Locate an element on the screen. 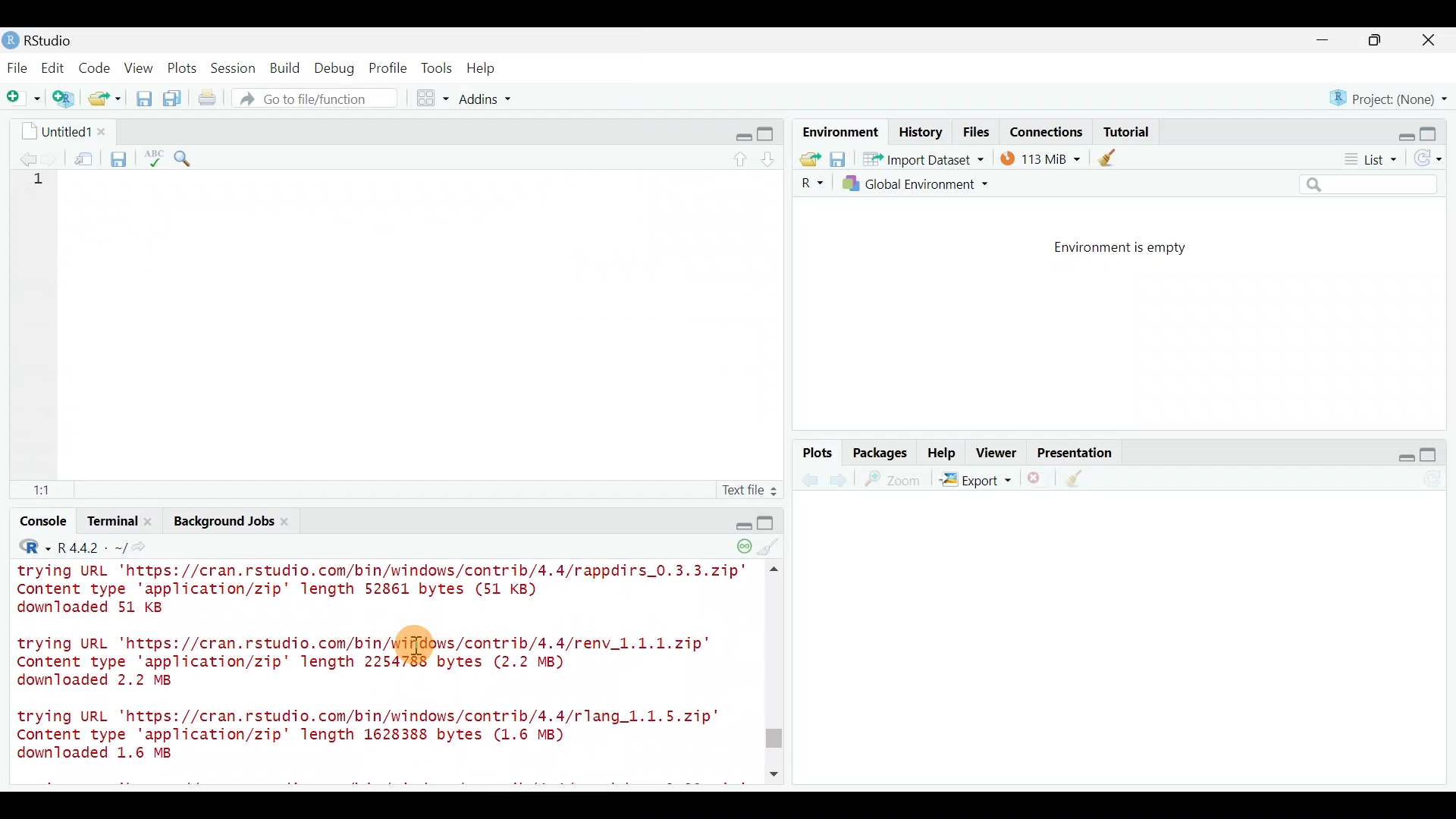 The image size is (1456, 819). Refresh current plot is located at coordinates (1437, 480).